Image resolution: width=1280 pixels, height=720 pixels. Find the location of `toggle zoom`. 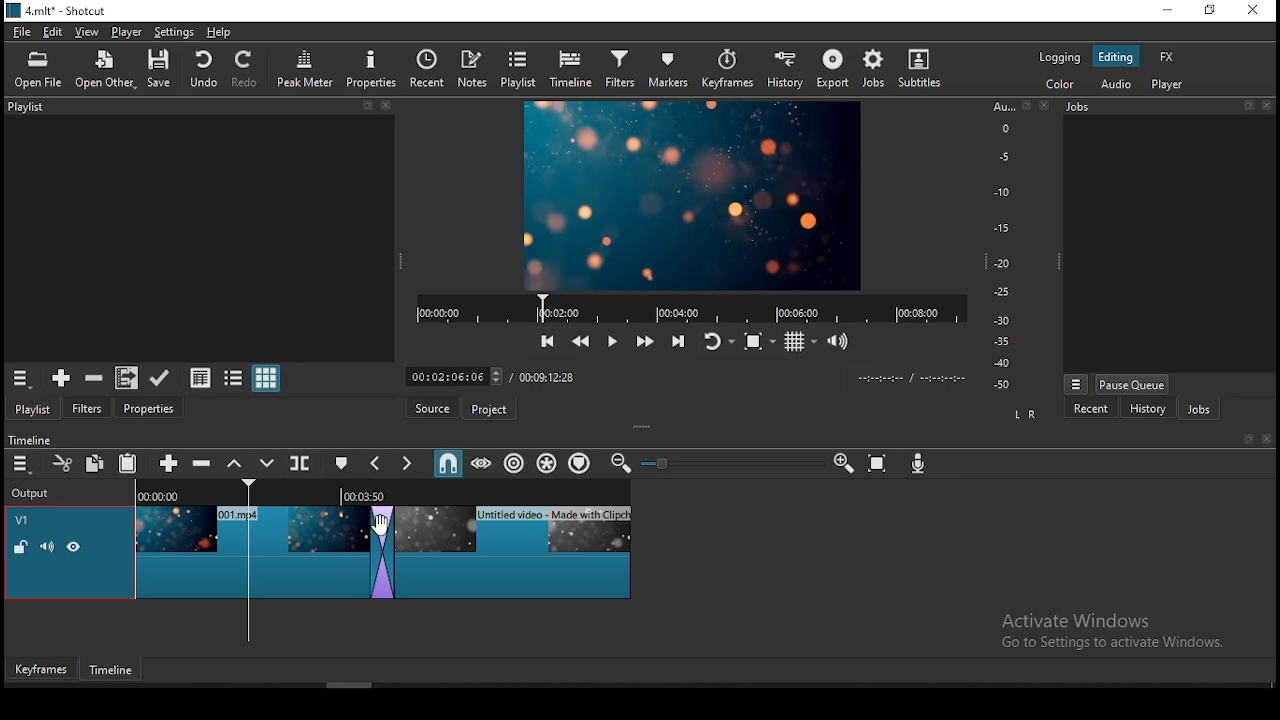

toggle zoom is located at coordinates (758, 342).